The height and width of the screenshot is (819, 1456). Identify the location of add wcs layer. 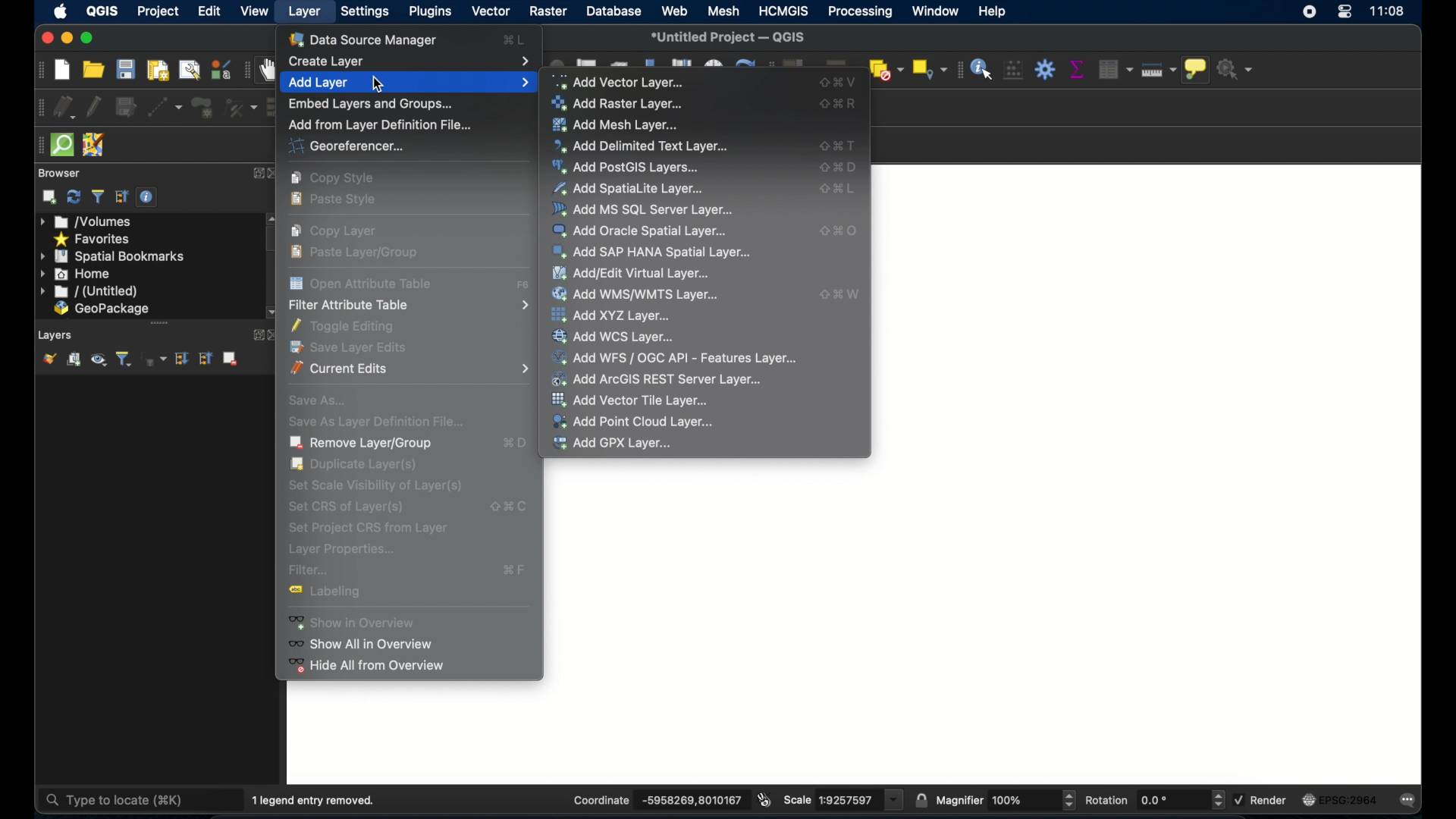
(618, 336).